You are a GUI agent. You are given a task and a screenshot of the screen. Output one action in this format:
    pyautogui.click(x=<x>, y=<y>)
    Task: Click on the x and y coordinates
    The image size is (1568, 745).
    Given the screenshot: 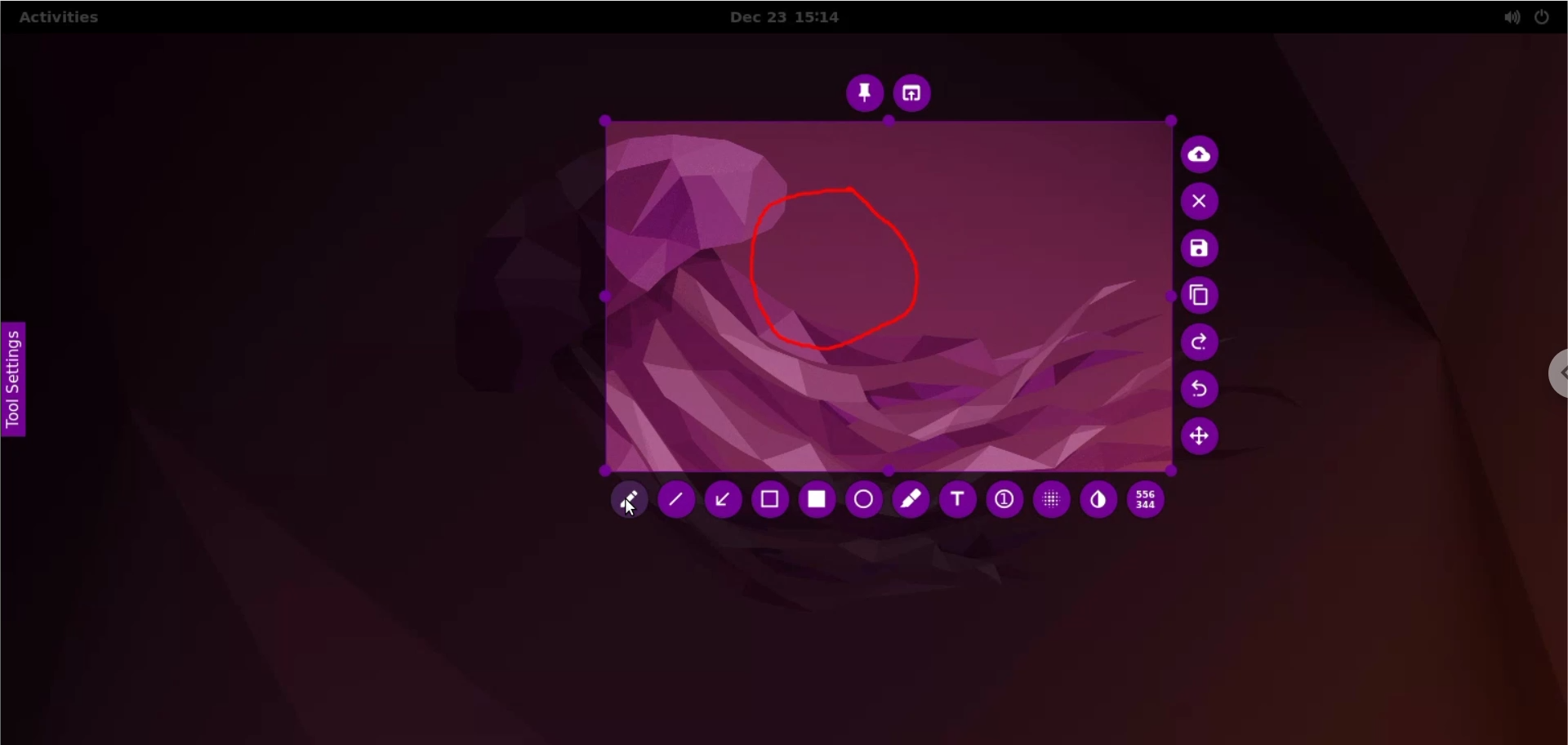 What is the action you would take?
    pyautogui.click(x=1149, y=502)
    